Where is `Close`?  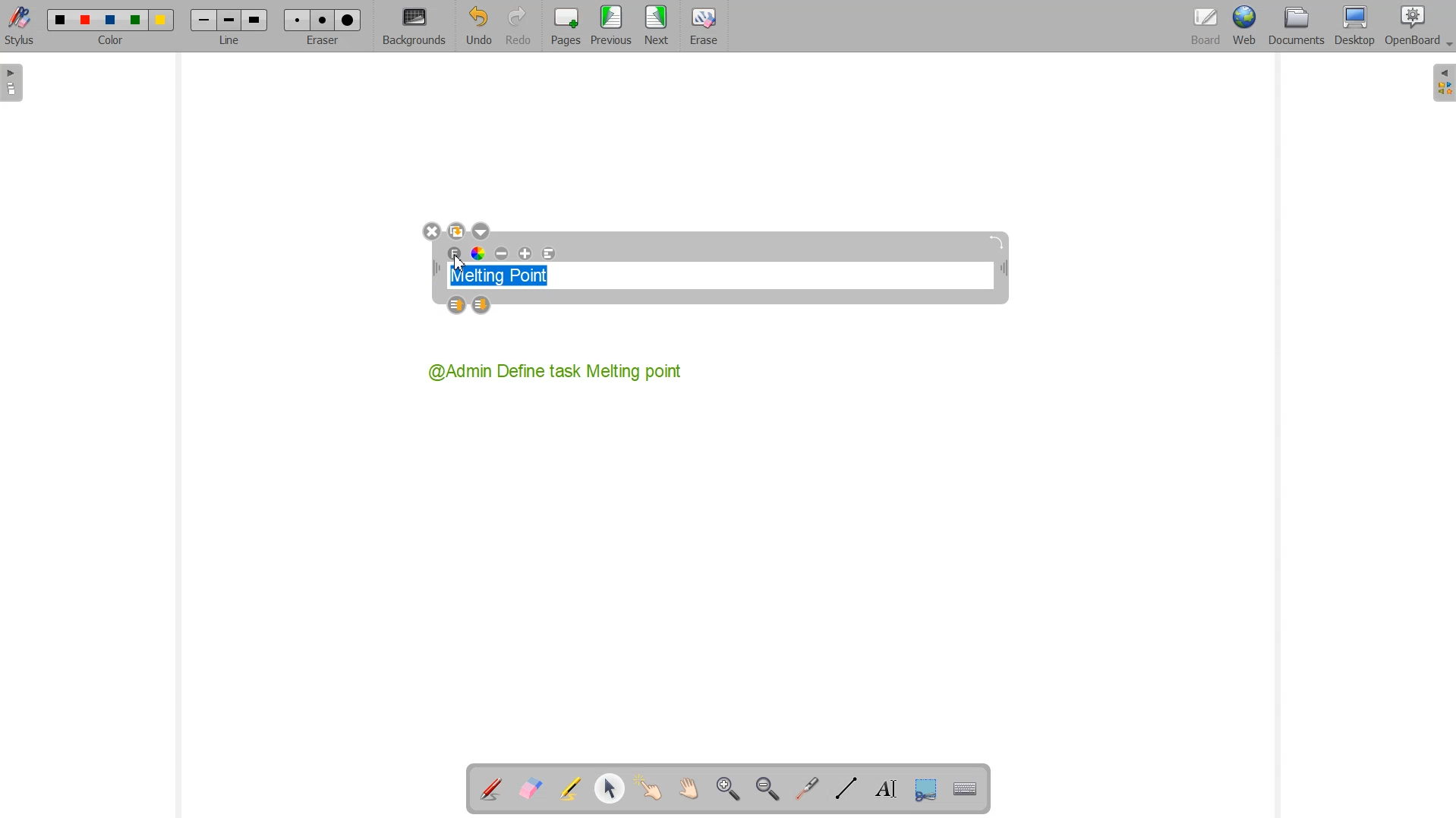 Close is located at coordinates (431, 232).